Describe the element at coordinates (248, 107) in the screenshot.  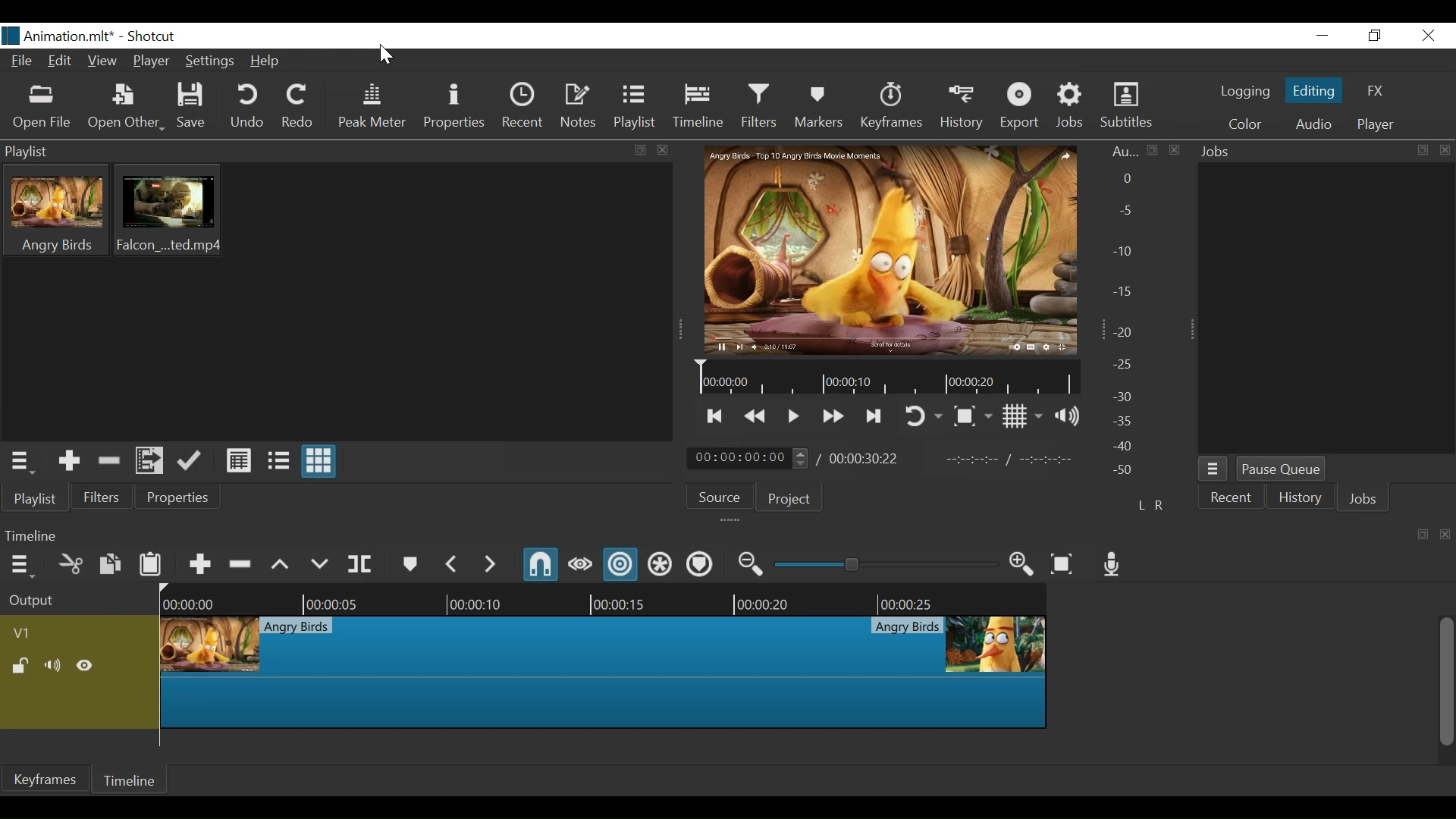
I see `Undo` at that location.